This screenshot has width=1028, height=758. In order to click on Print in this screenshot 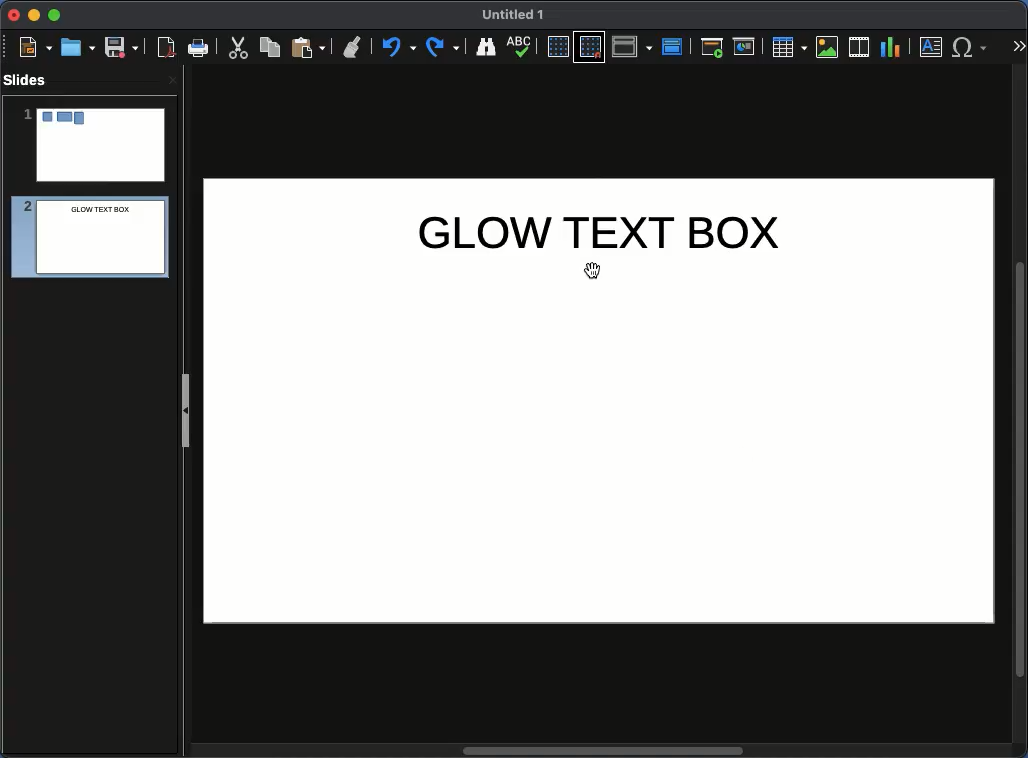, I will do `click(199, 49)`.